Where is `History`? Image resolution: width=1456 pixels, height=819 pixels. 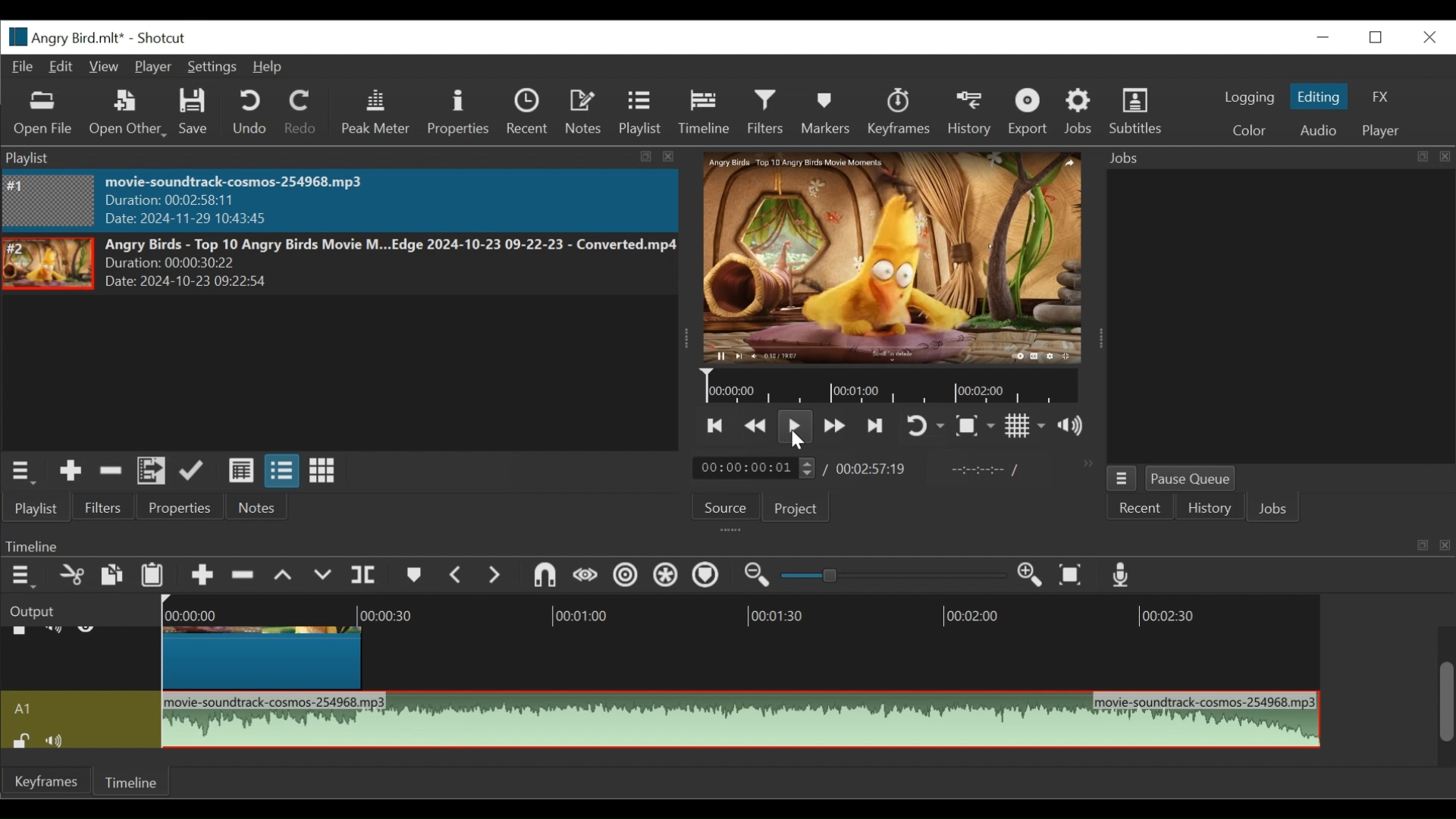
History is located at coordinates (1209, 508).